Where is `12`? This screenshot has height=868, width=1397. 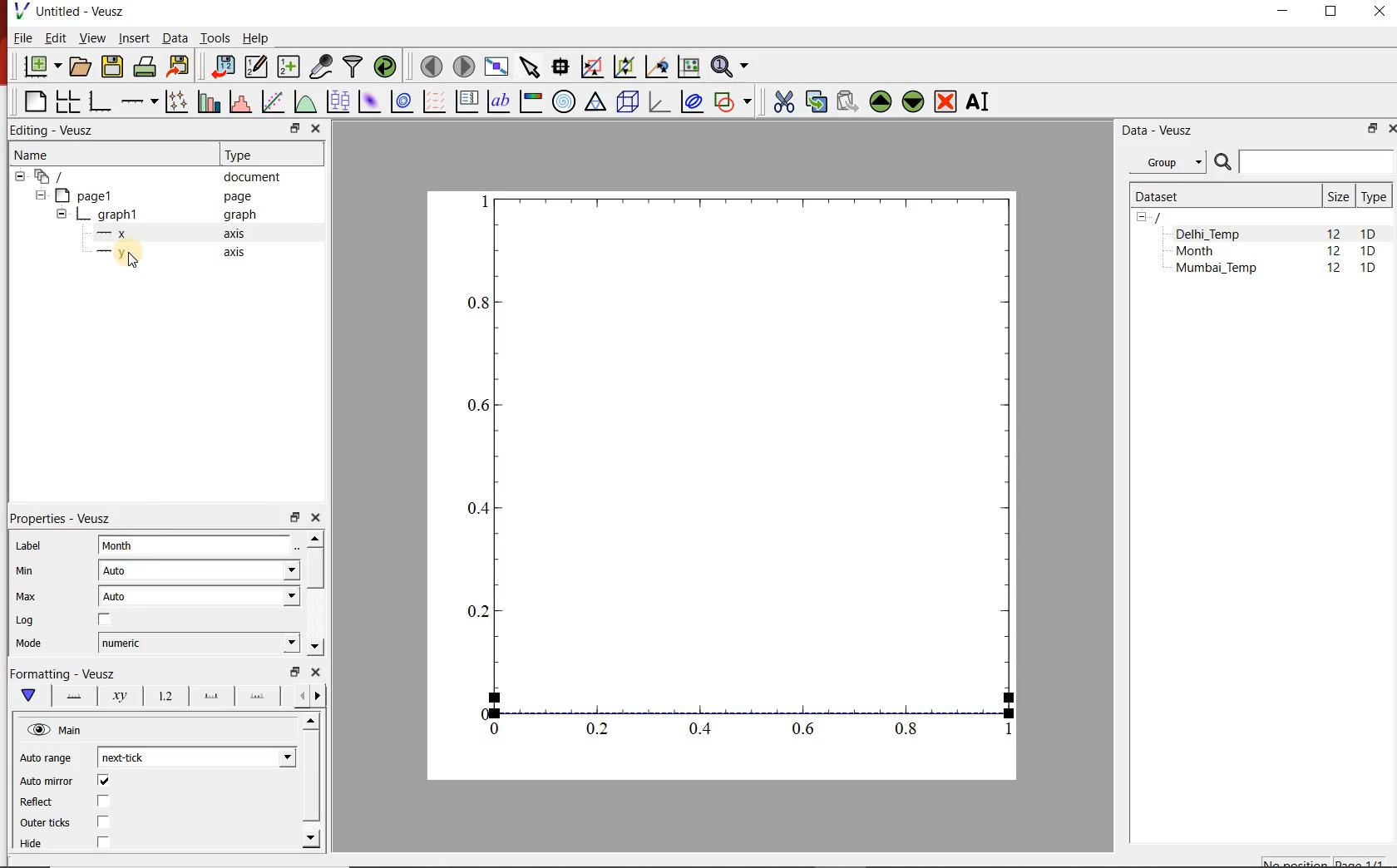
12 is located at coordinates (1334, 253).